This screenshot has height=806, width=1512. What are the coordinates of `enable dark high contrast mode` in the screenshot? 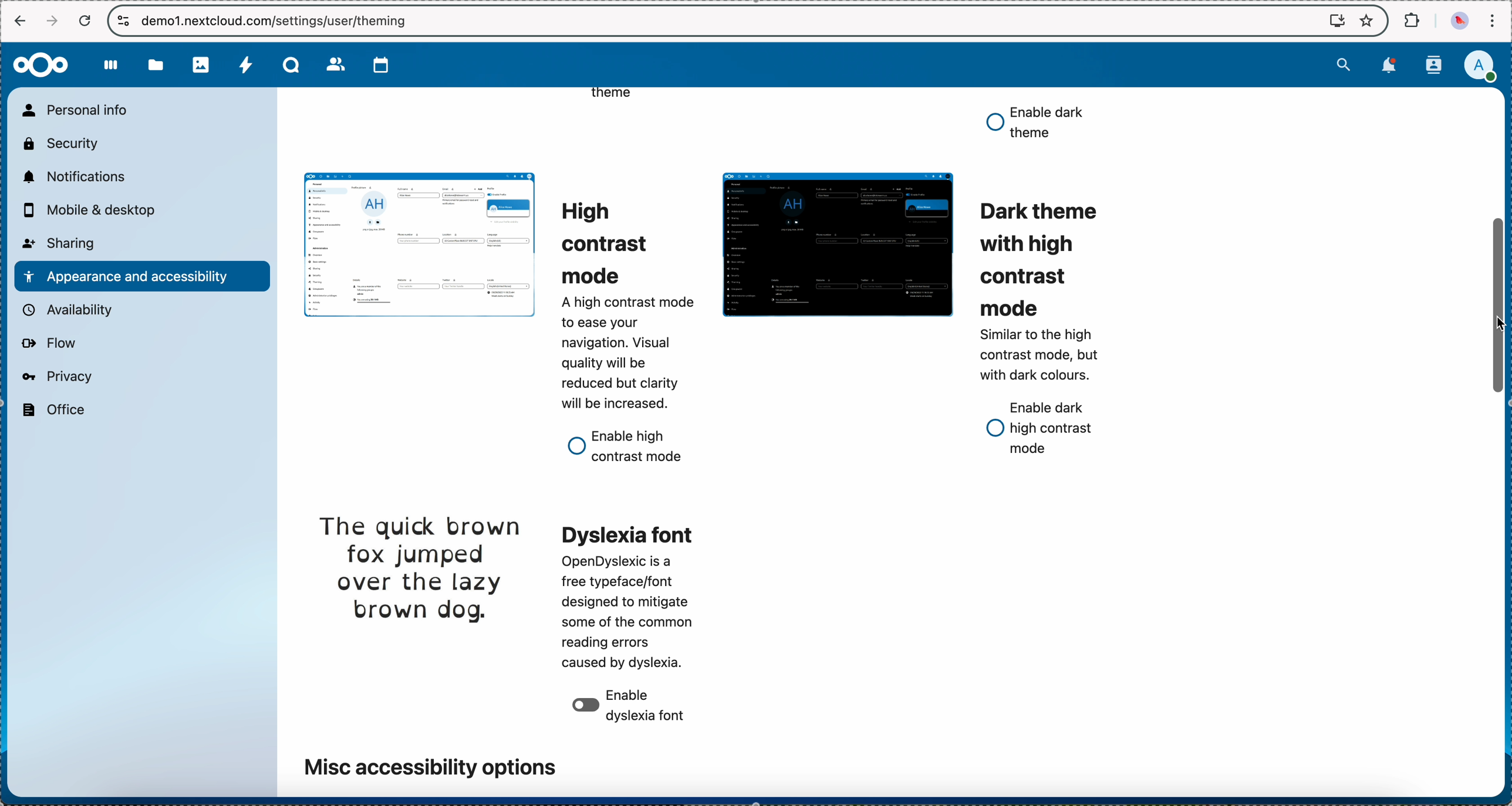 It's located at (1041, 430).